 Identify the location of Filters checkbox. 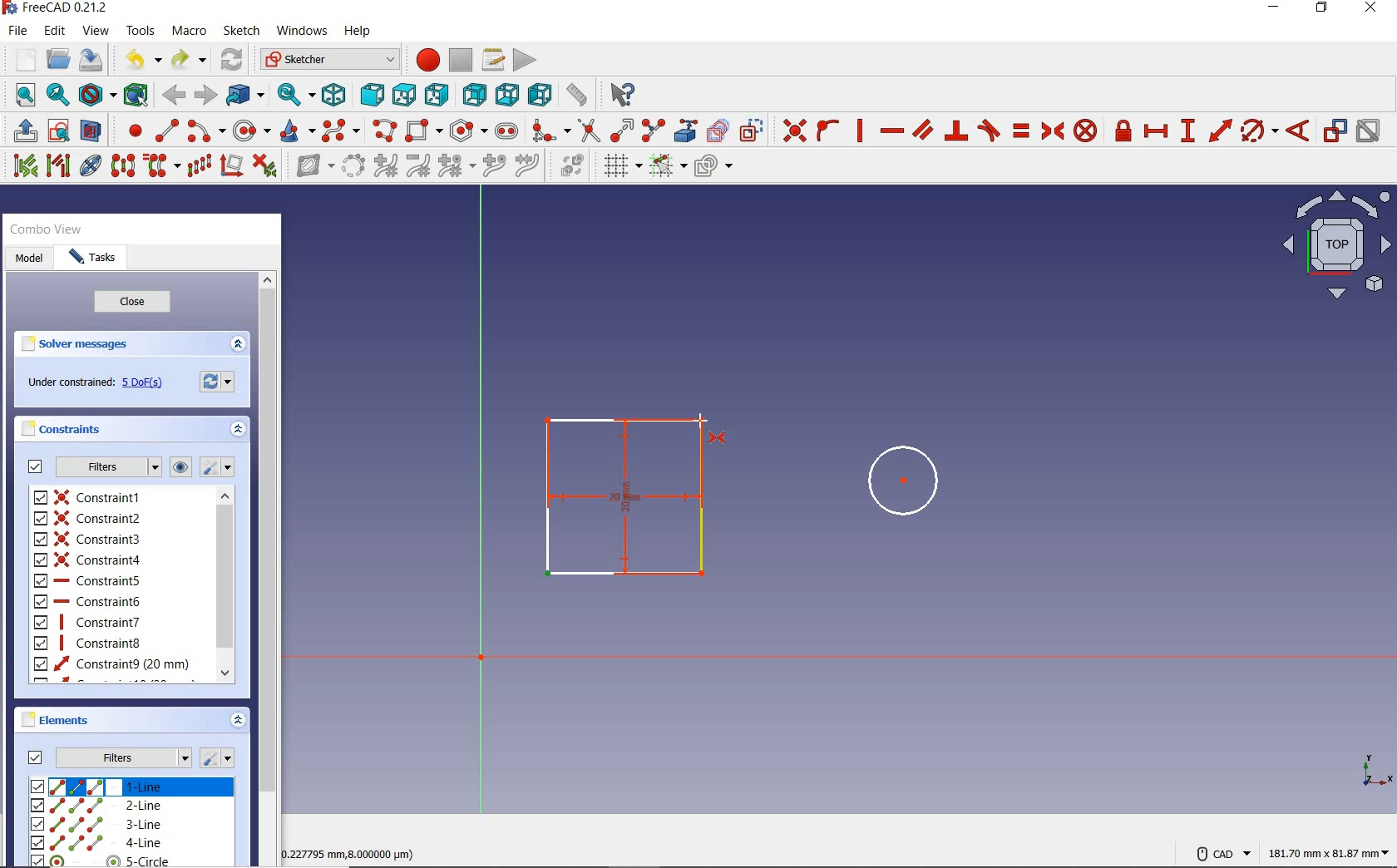
(35, 467).